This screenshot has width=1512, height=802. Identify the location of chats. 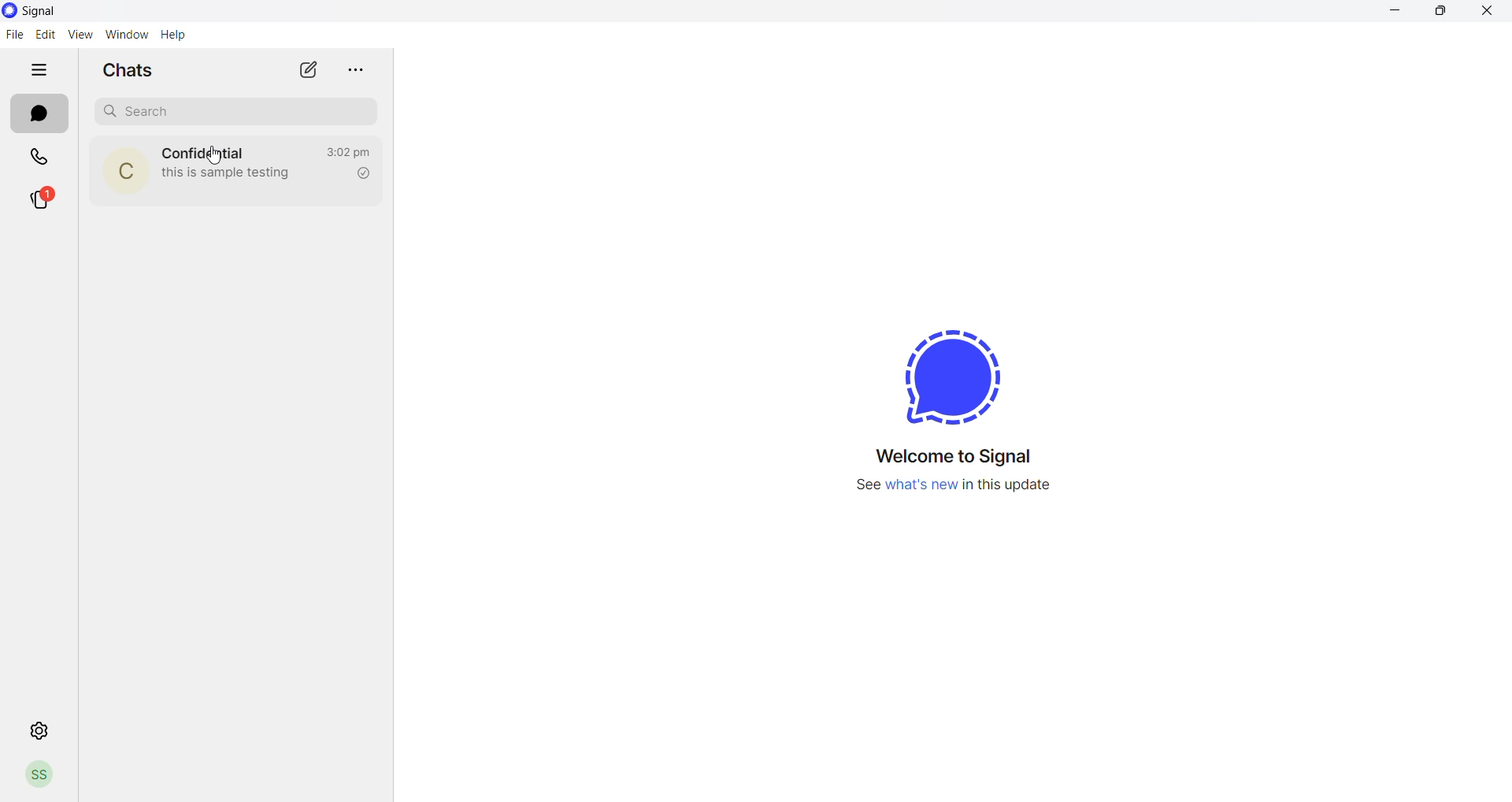
(39, 114).